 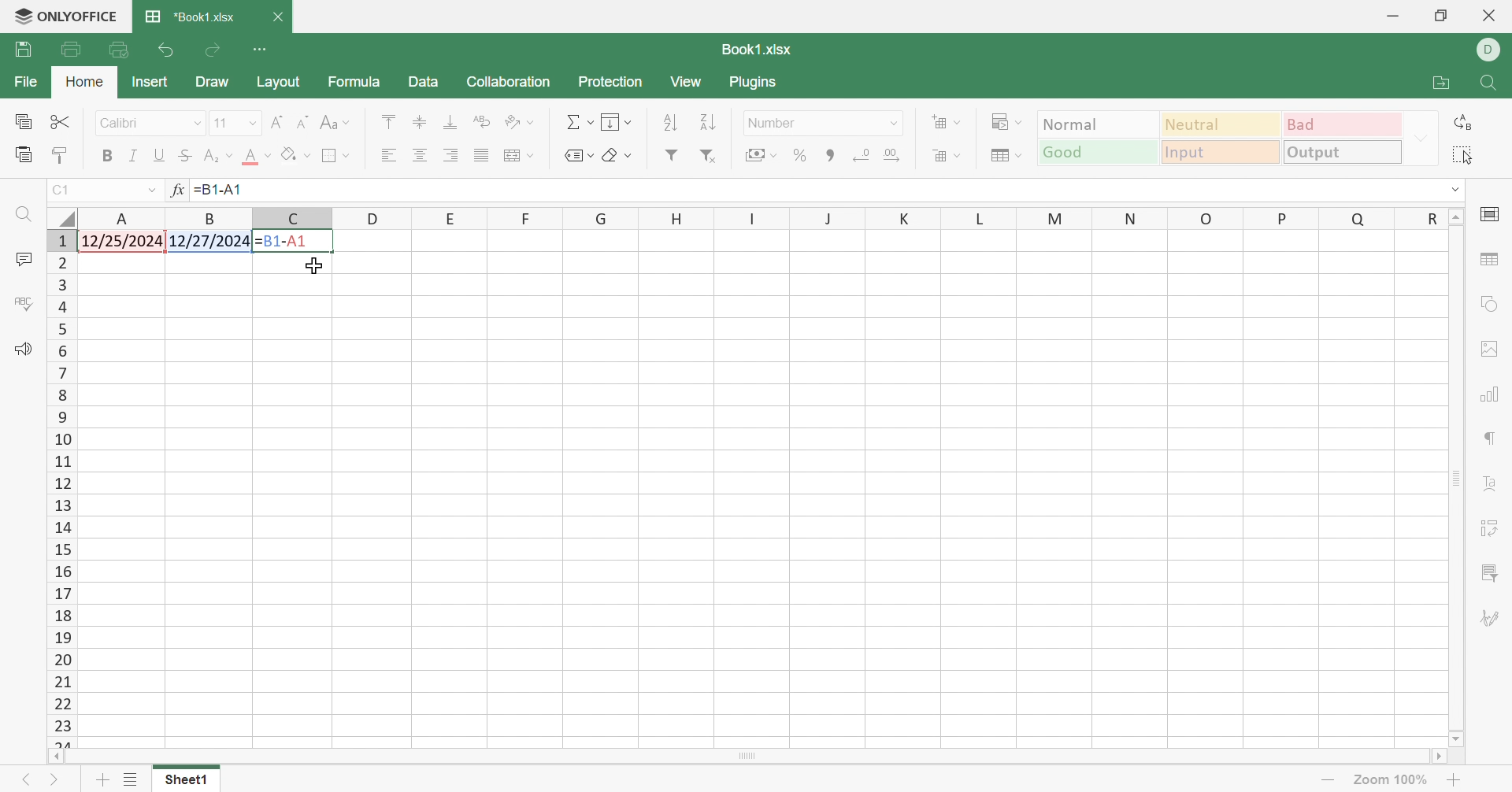 I want to click on Named ranges, so click(x=578, y=157).